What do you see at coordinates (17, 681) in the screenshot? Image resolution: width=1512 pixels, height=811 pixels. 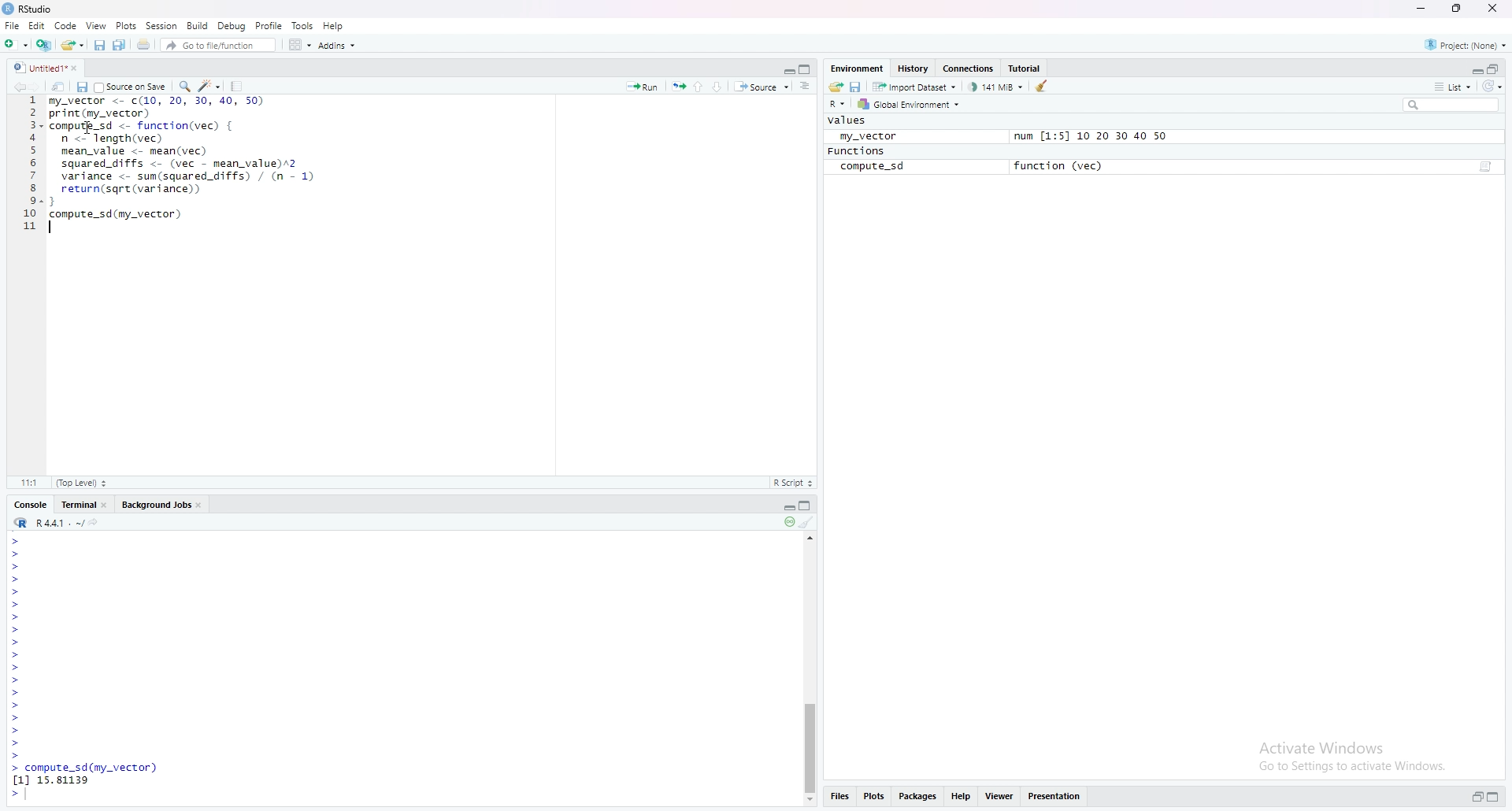 I see `Prompt cursor` at bounding box center [17, 681].